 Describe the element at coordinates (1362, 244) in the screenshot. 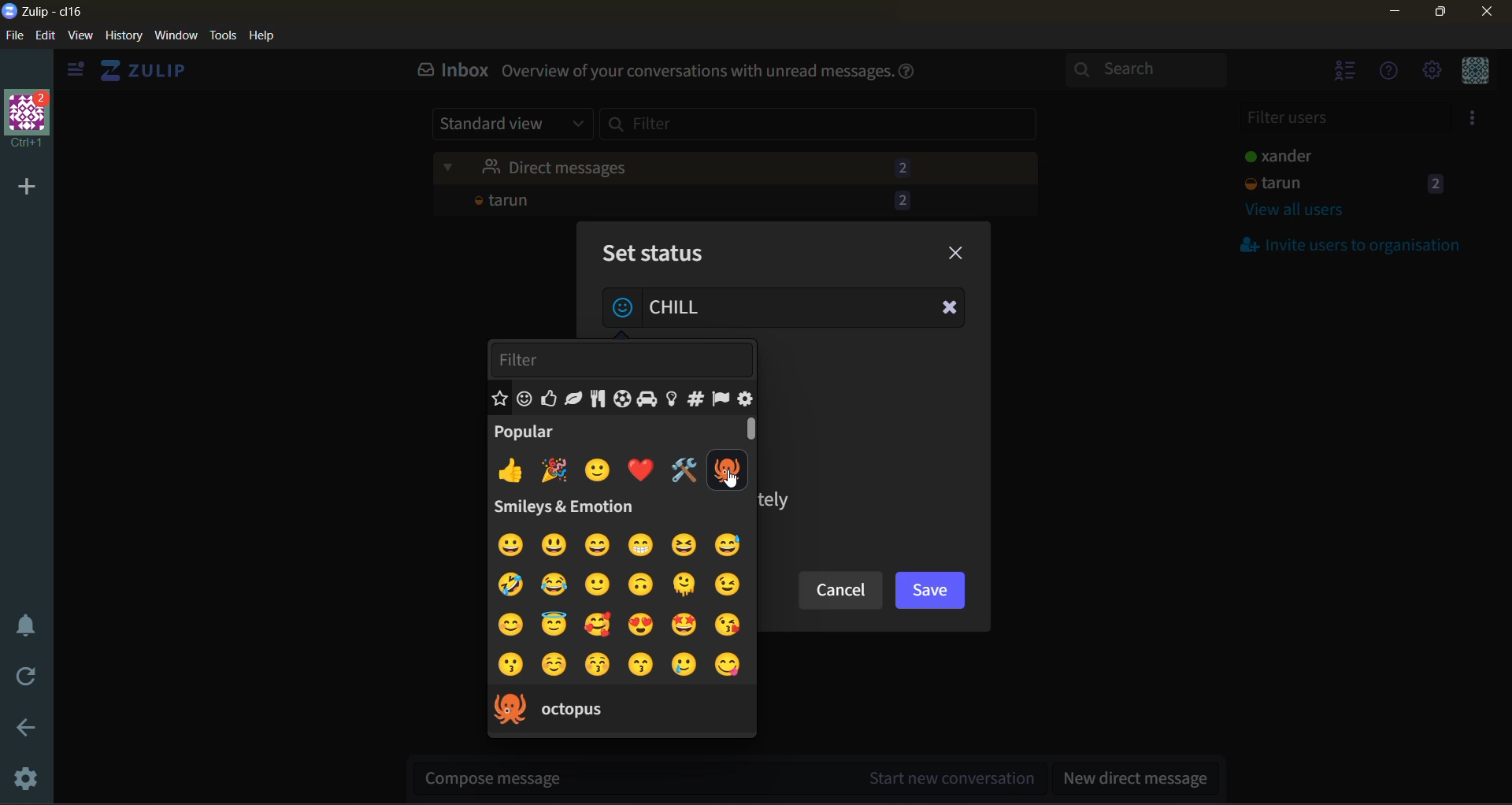

I see `invite users to organisation` at that location.